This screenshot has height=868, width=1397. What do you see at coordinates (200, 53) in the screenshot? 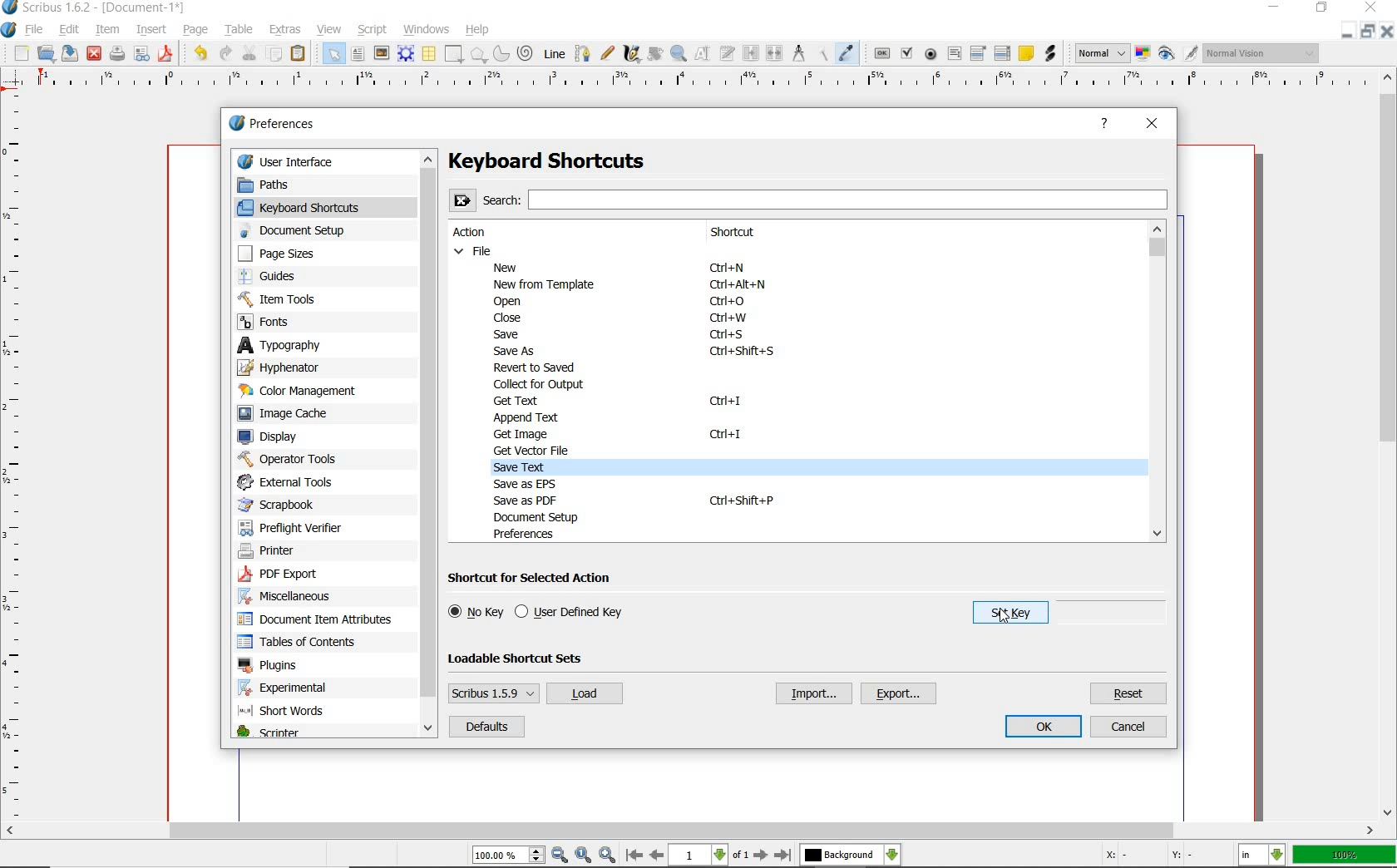
I see `undo` at bounding box center [200, 53].